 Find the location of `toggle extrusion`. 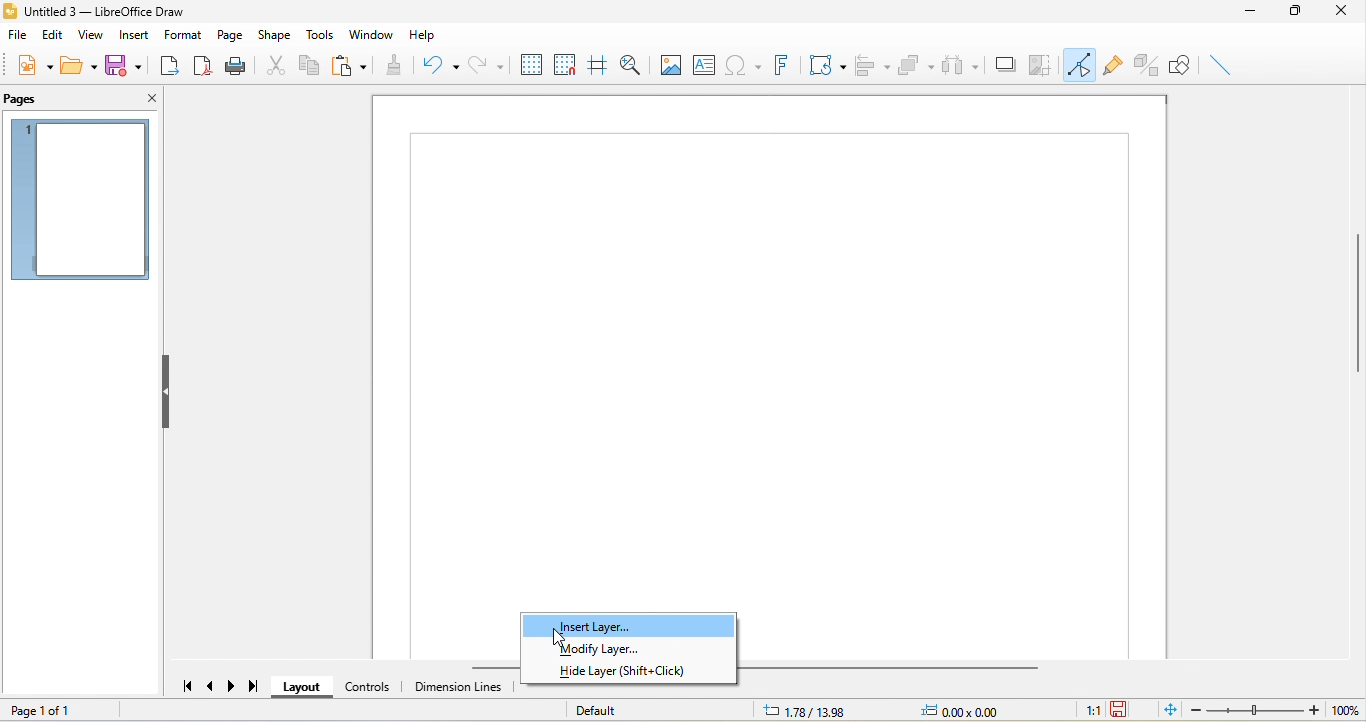

toggle extrusion is located at coordinates (1146, 65).